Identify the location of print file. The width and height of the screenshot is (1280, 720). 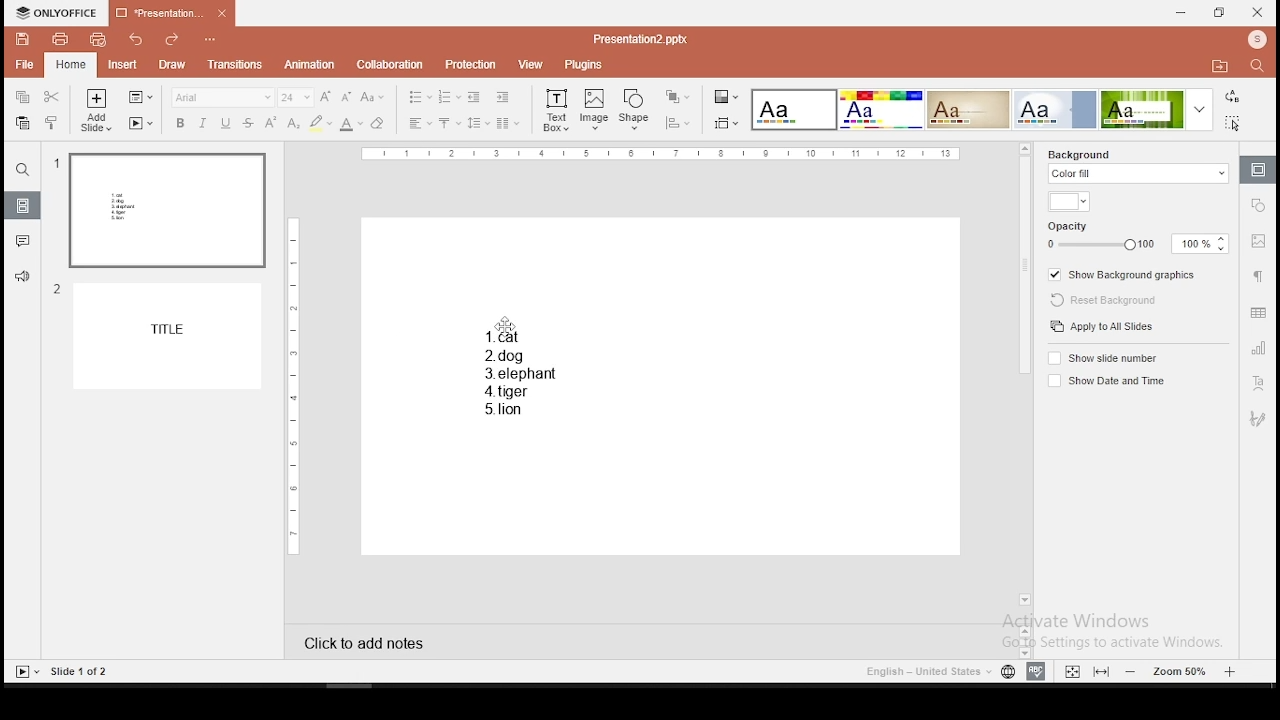
(57, 39).